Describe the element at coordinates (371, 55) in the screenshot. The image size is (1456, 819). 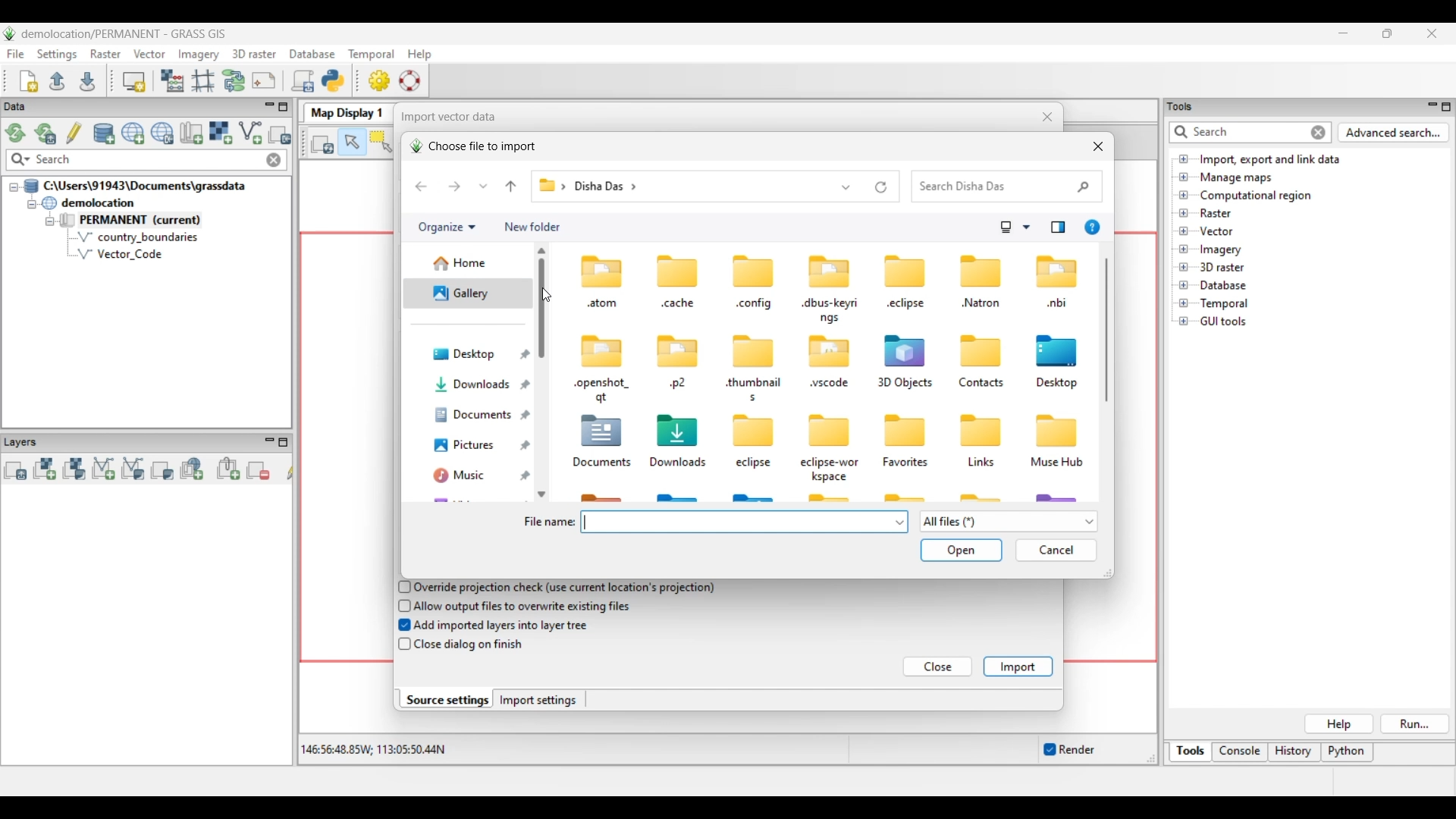
I see `Temporal menu` at that location.